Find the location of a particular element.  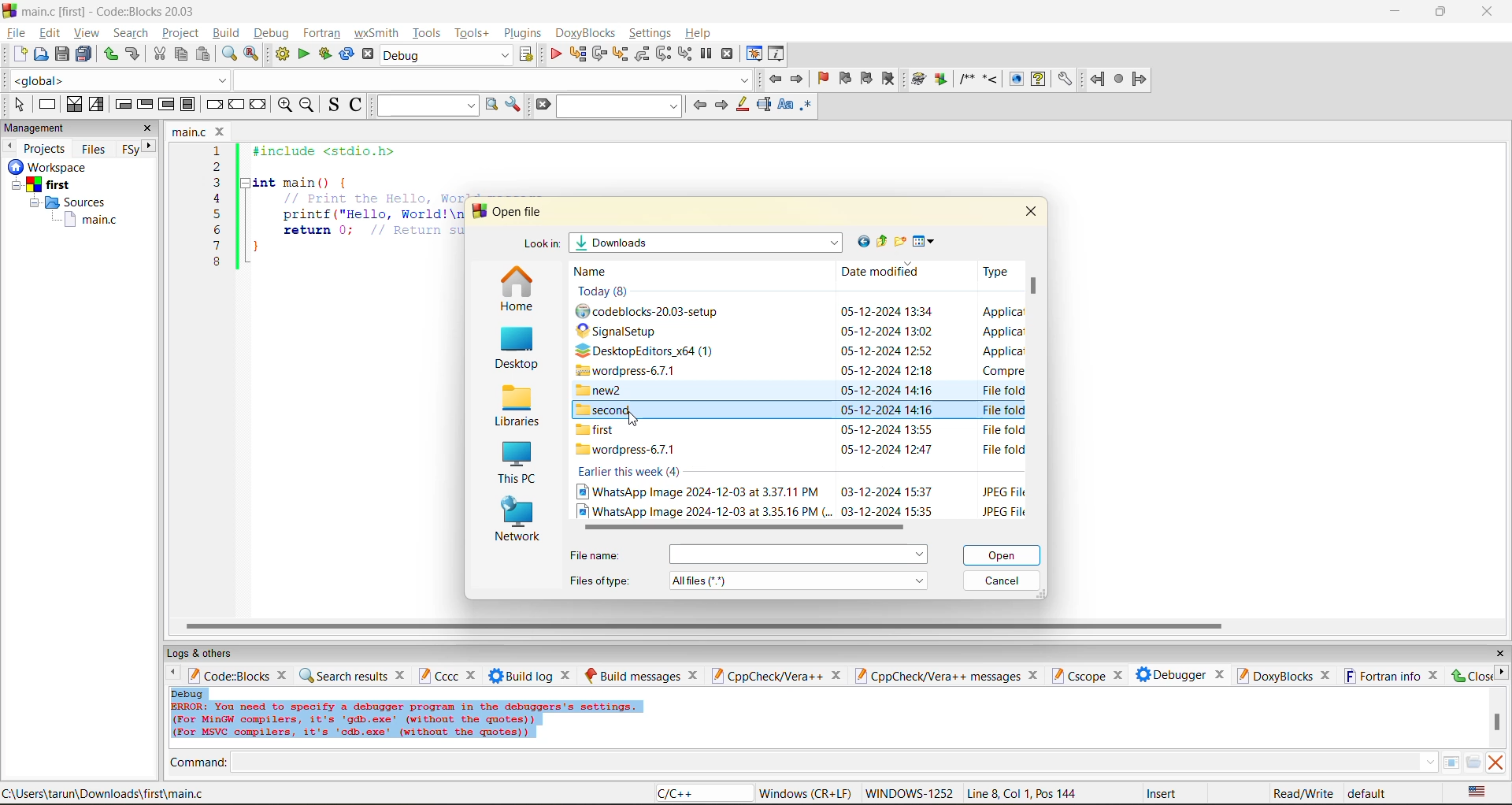

line8, col 1, pos 144 is located at coordinates (1025, 793).